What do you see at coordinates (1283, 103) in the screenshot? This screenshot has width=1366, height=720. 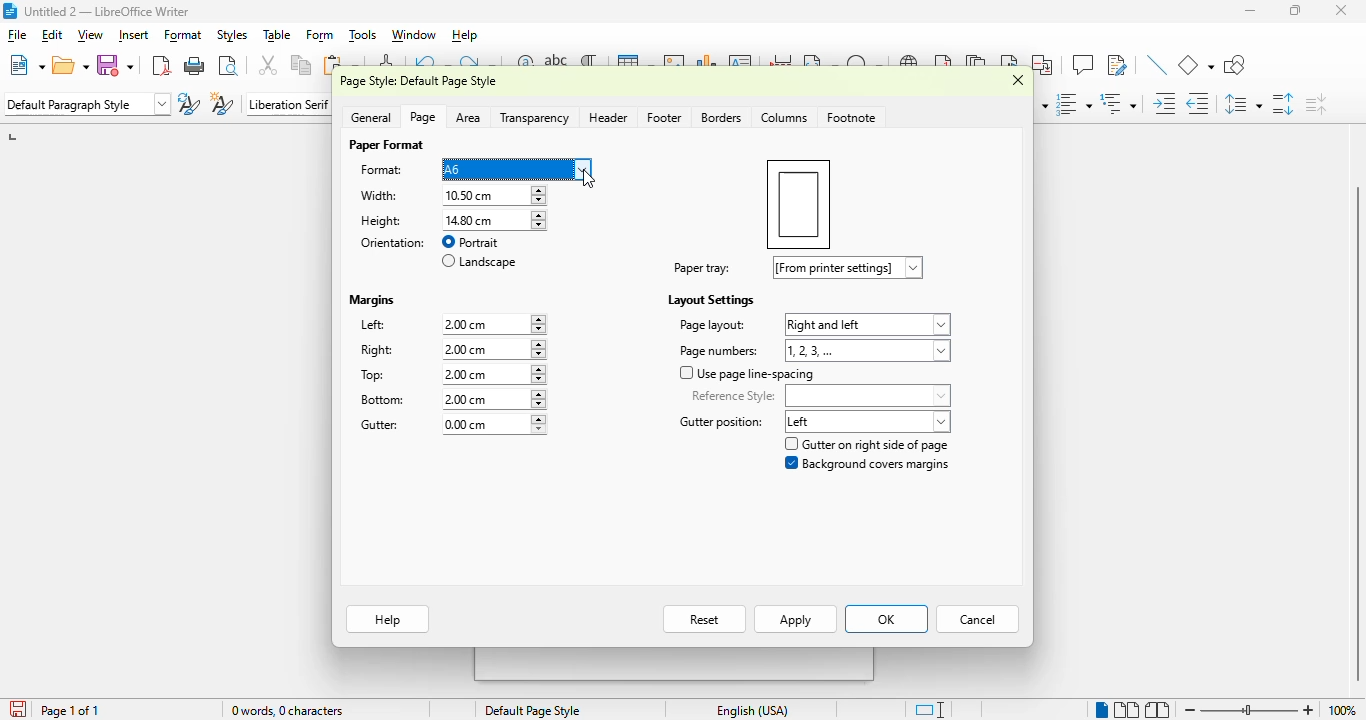 I see `increase paragraph spacing` at bounding box center [1283, 103].